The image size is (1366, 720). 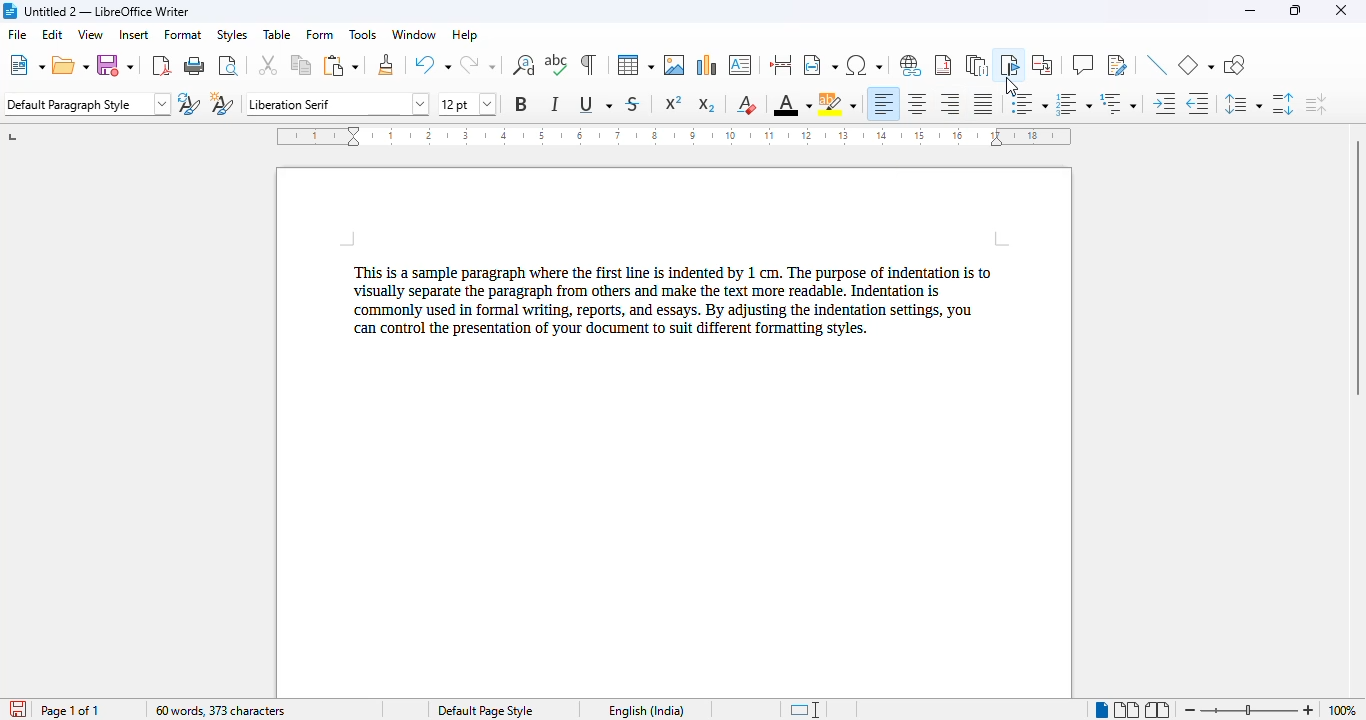 What do you see at coordinates (983, 104) in the screenshot?
I see `justified` at bounding box center [983, 104].